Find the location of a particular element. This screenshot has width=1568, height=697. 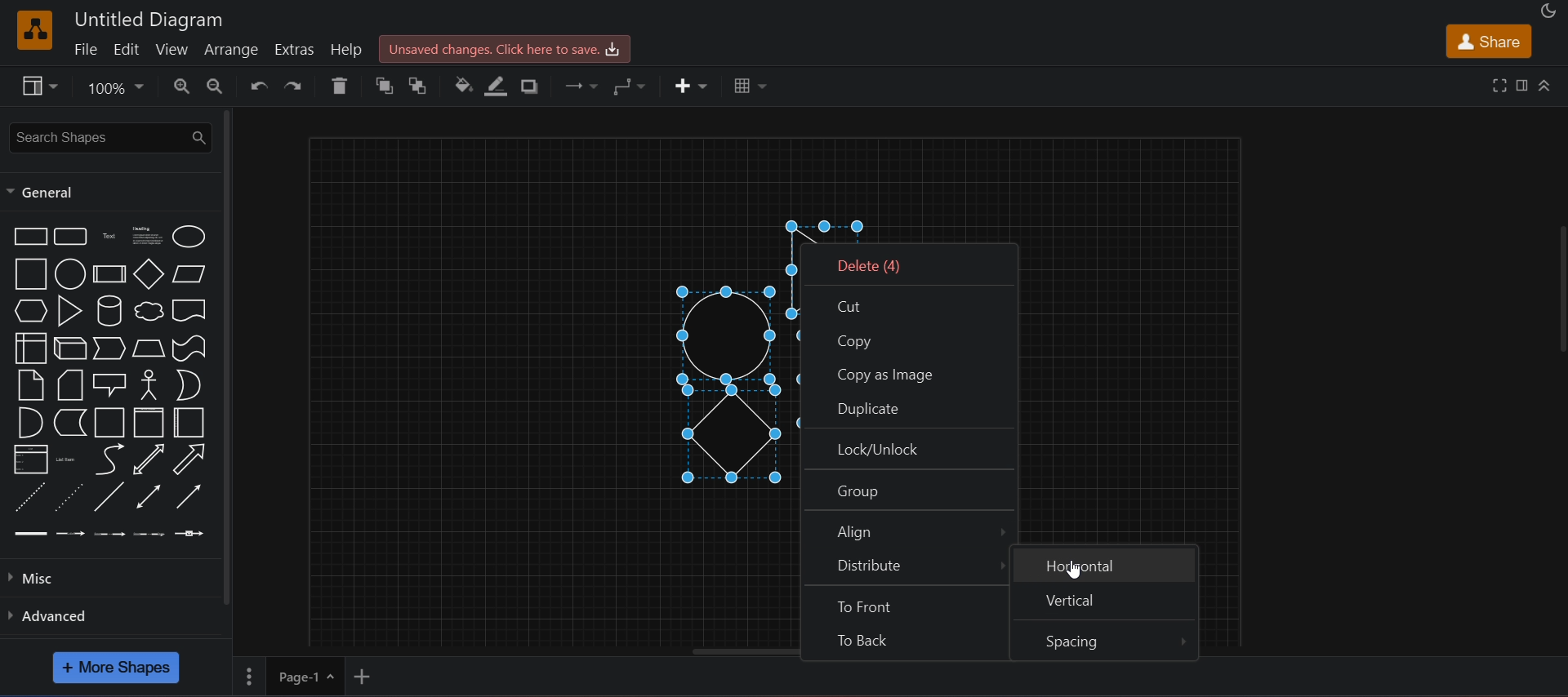

copy is located at coordinates (906, 337).